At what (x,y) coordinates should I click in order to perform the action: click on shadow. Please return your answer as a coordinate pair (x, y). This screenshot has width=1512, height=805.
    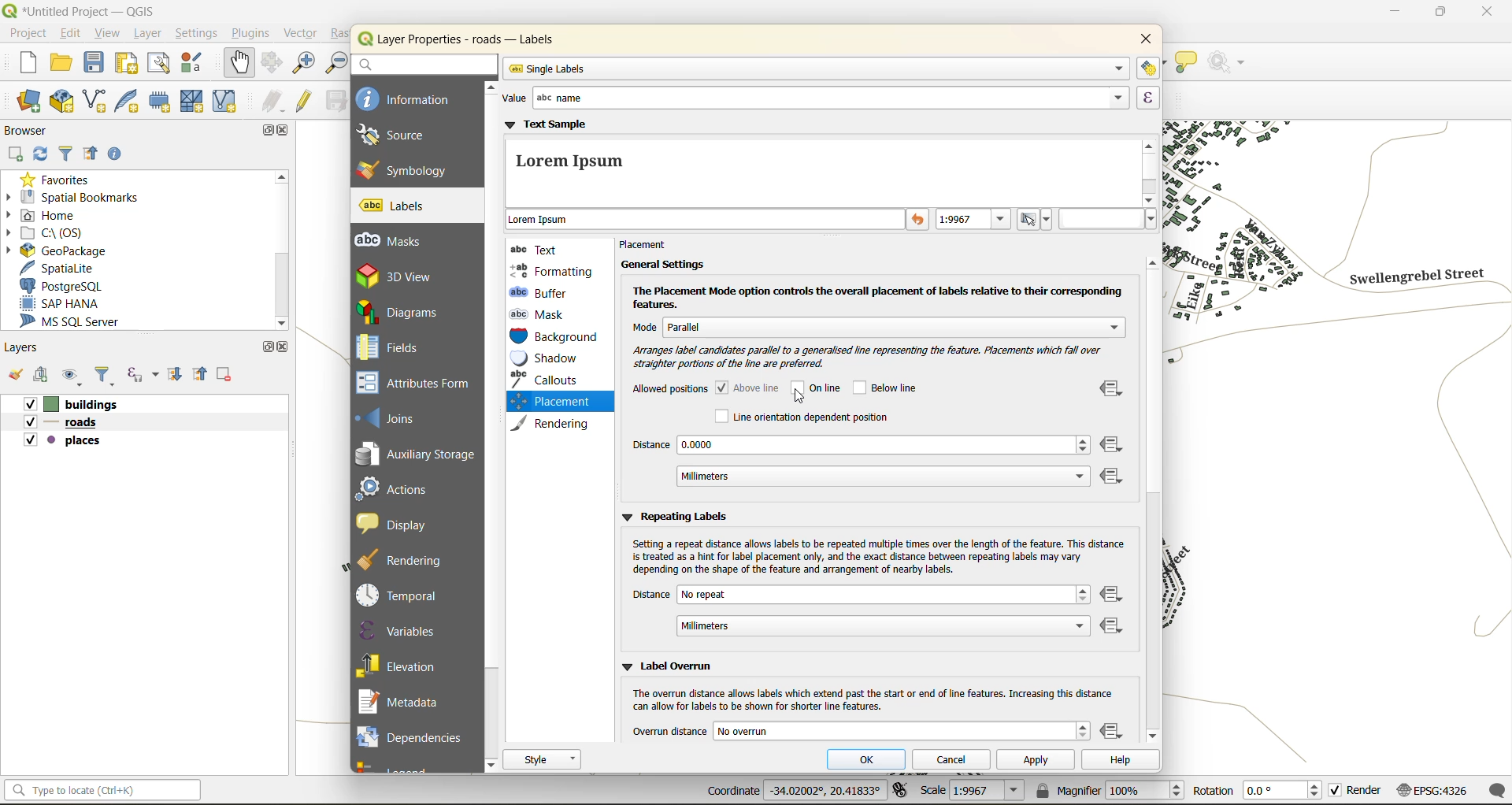
    Looking at the image, I should click on (554, 358).